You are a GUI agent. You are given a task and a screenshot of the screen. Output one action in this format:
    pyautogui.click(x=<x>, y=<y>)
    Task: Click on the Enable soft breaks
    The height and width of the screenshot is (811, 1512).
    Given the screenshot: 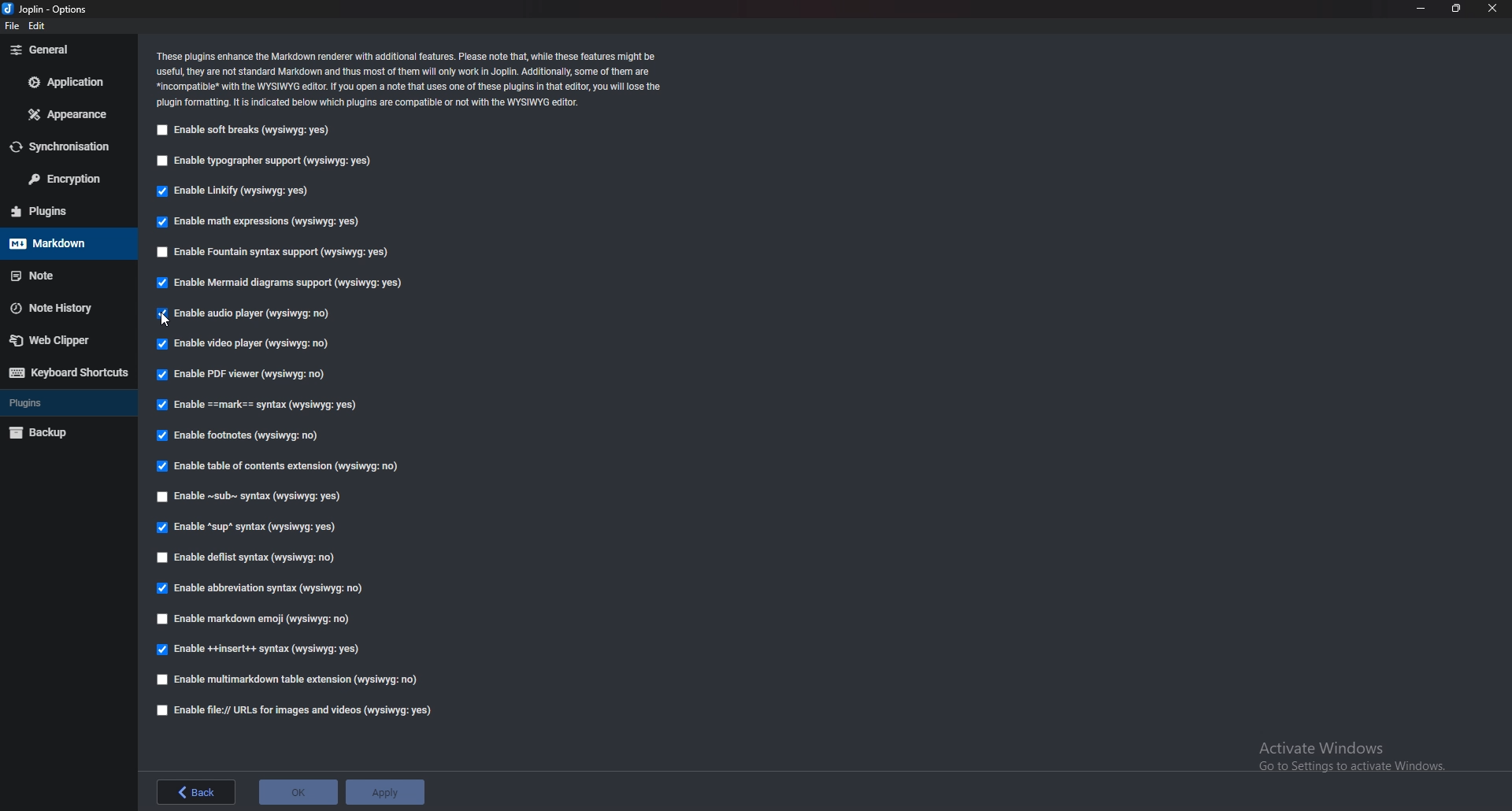 What is the action you would take?
    pyautogui.click(x=247, y=131)
    